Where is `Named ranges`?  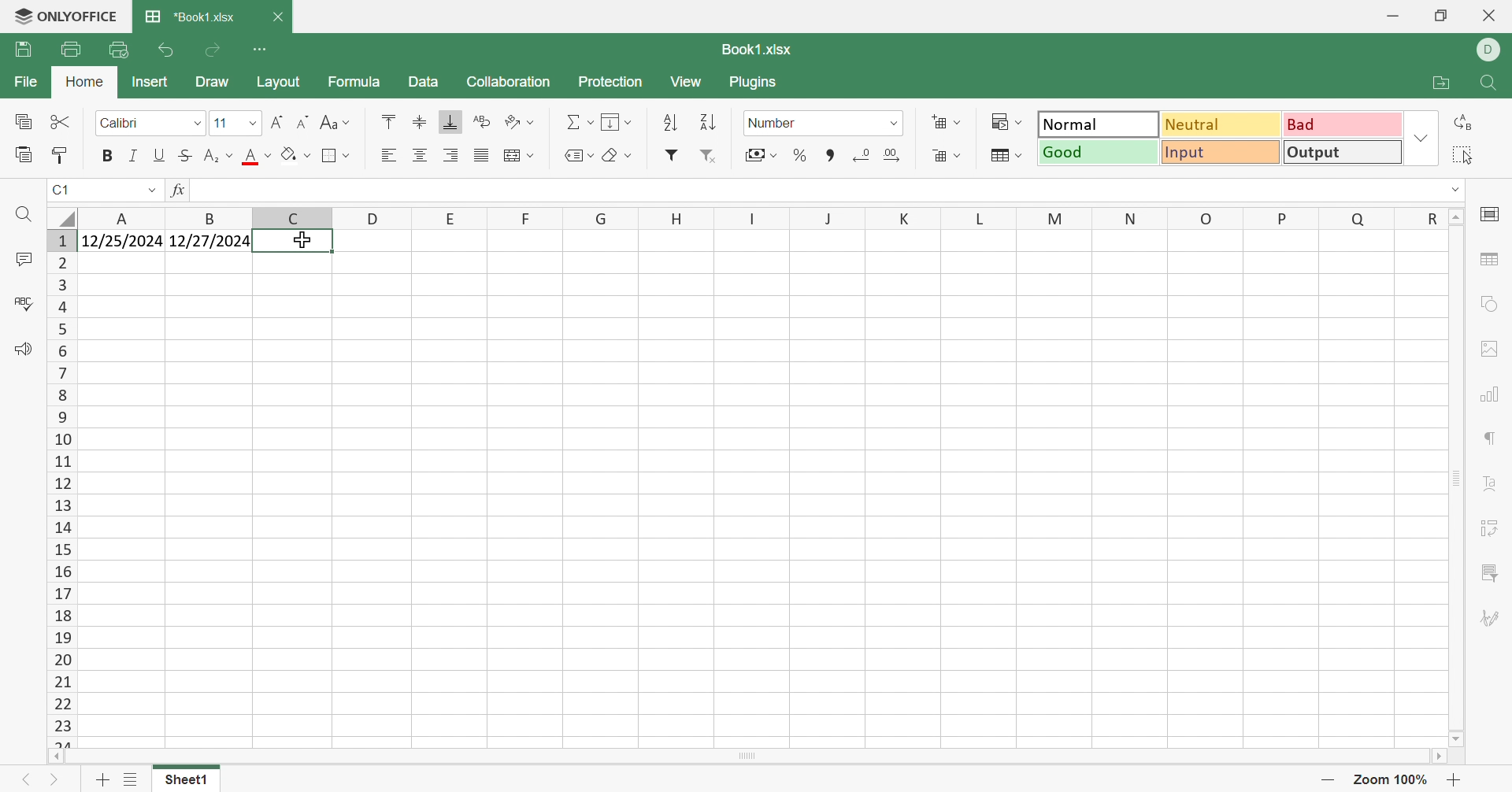
Named ranges is located at coordinates (578, 157).